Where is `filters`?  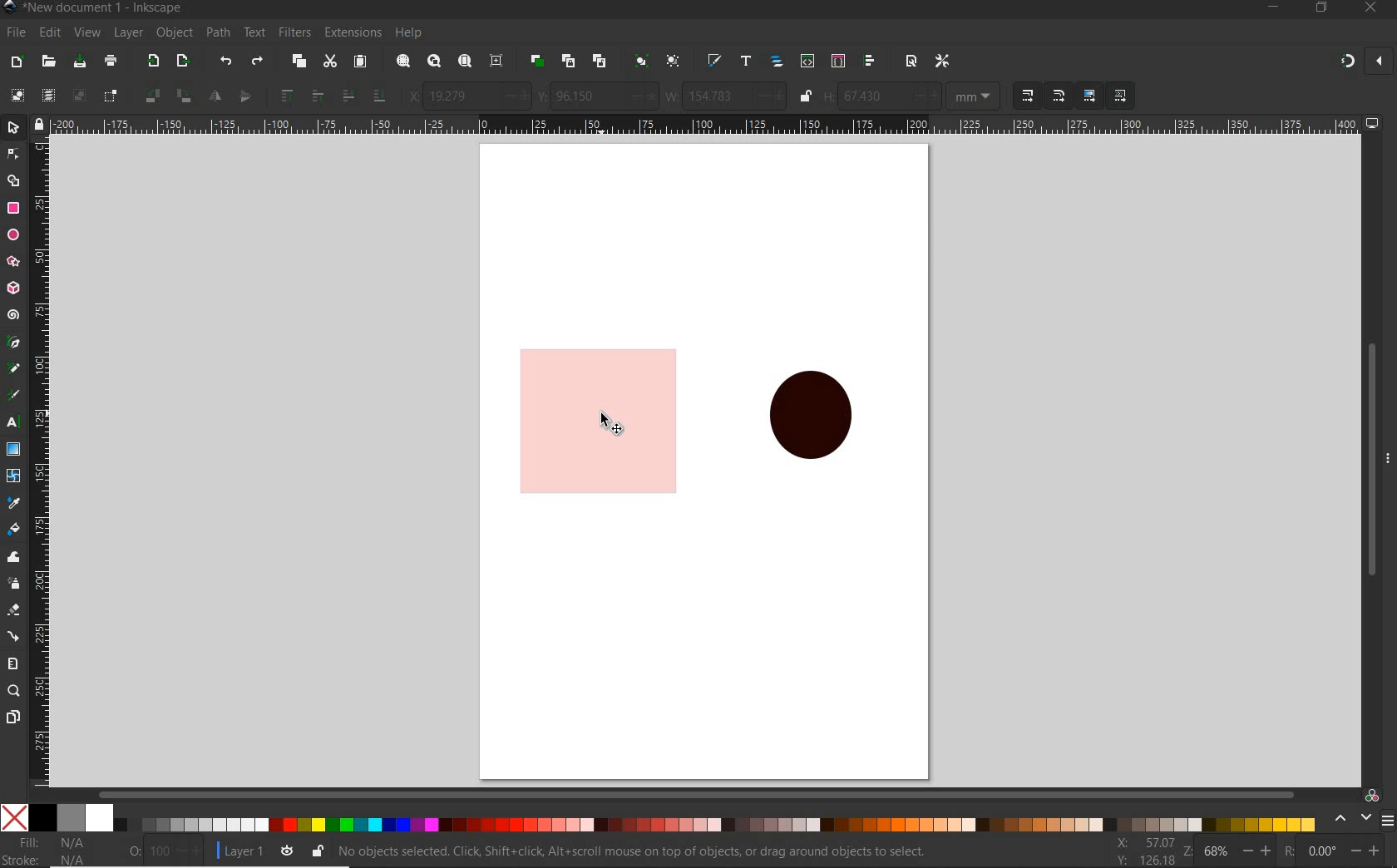 filters is located at coordinates (294, 33).